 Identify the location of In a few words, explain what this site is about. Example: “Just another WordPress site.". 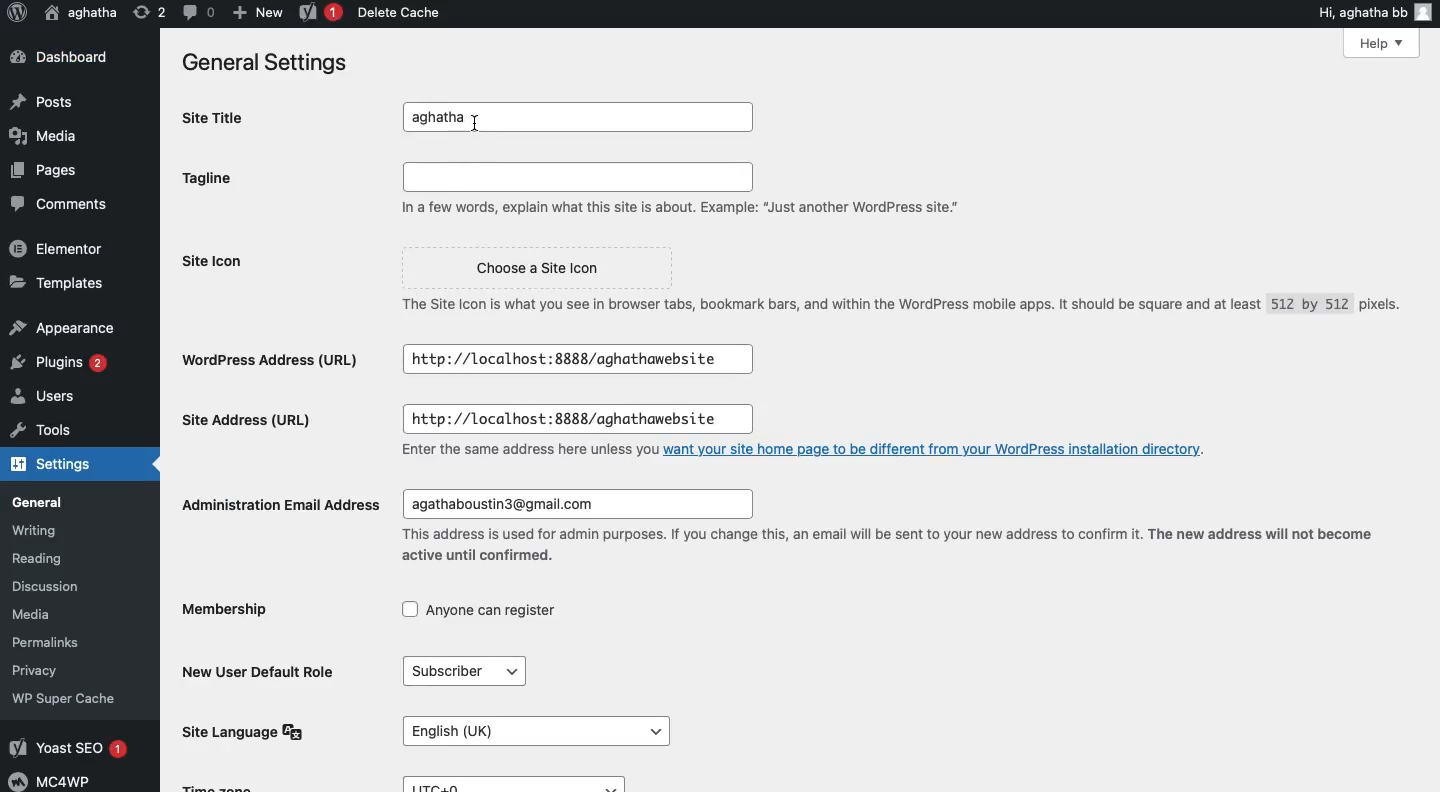
(674, 207).